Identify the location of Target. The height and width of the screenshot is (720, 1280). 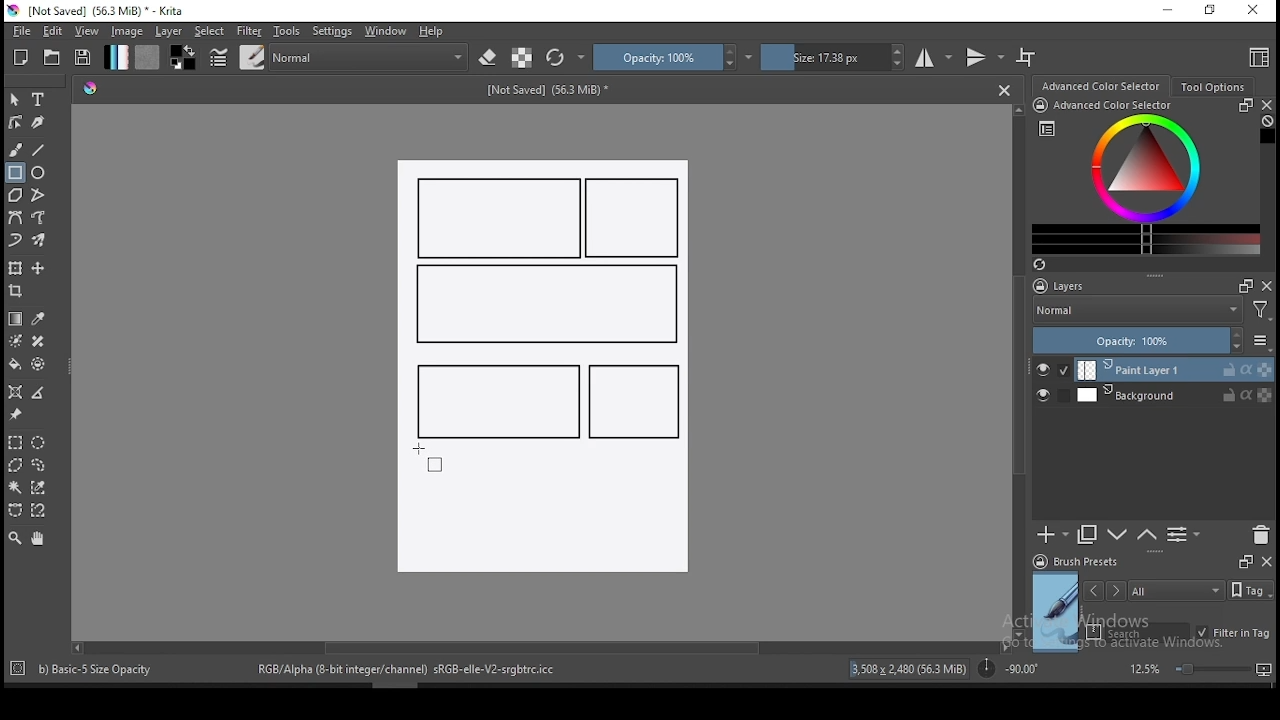
(19, 669).